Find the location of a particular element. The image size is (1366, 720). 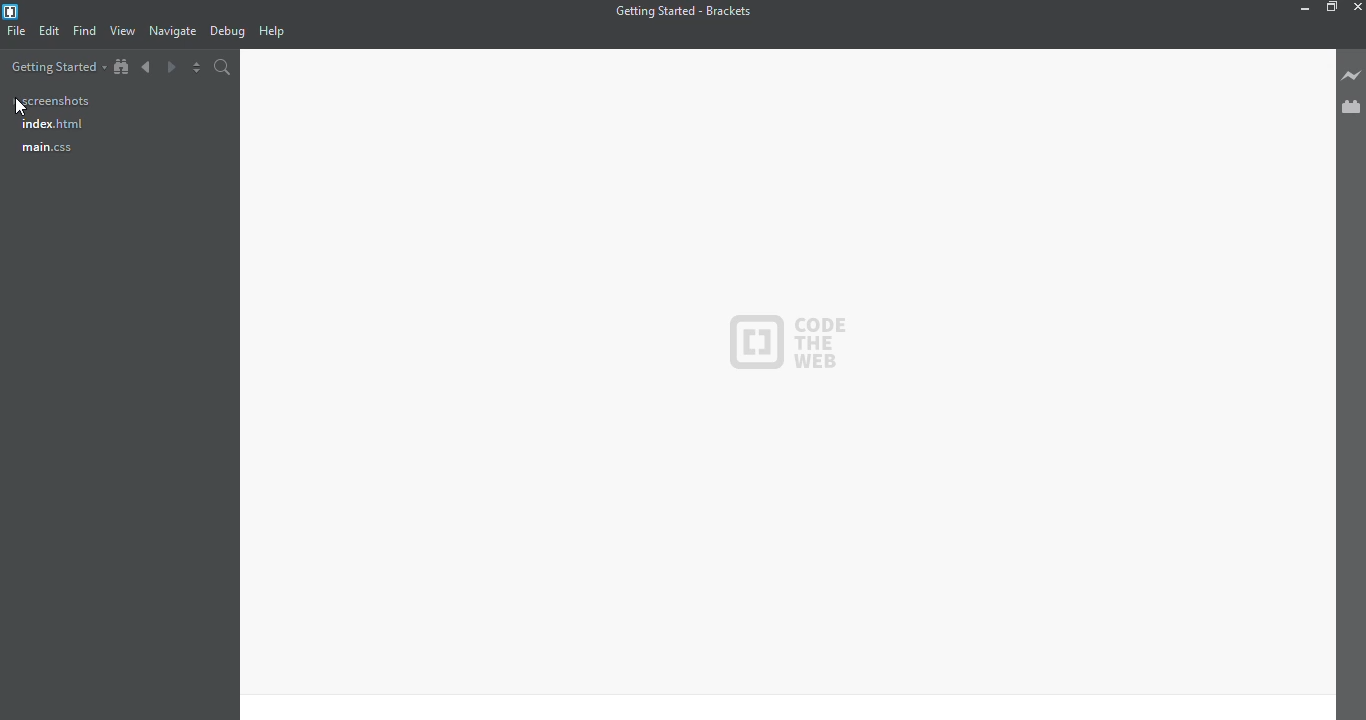

help is located at coordinates (270, 32).